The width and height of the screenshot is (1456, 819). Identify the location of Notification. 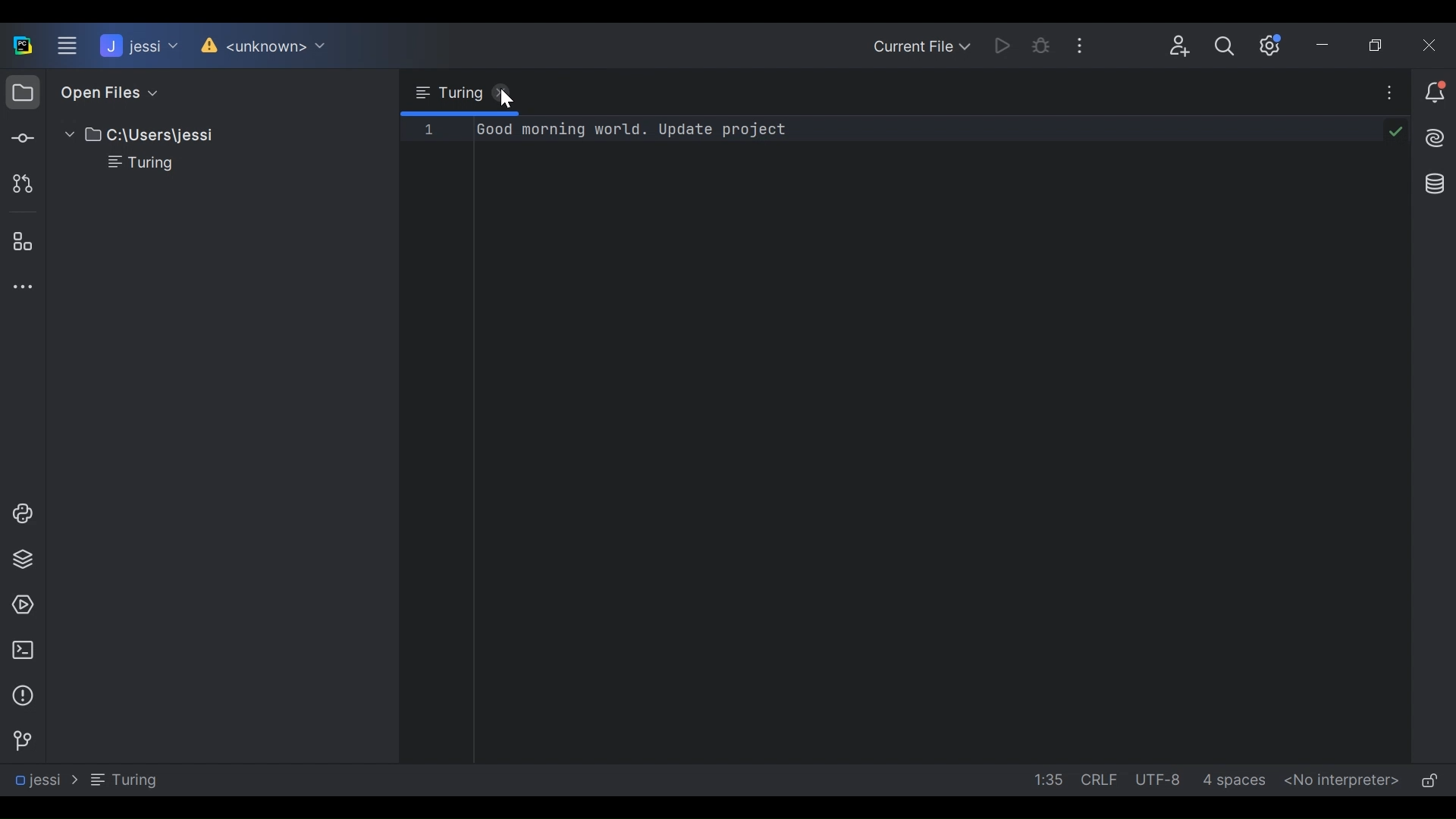
(1436, 93).